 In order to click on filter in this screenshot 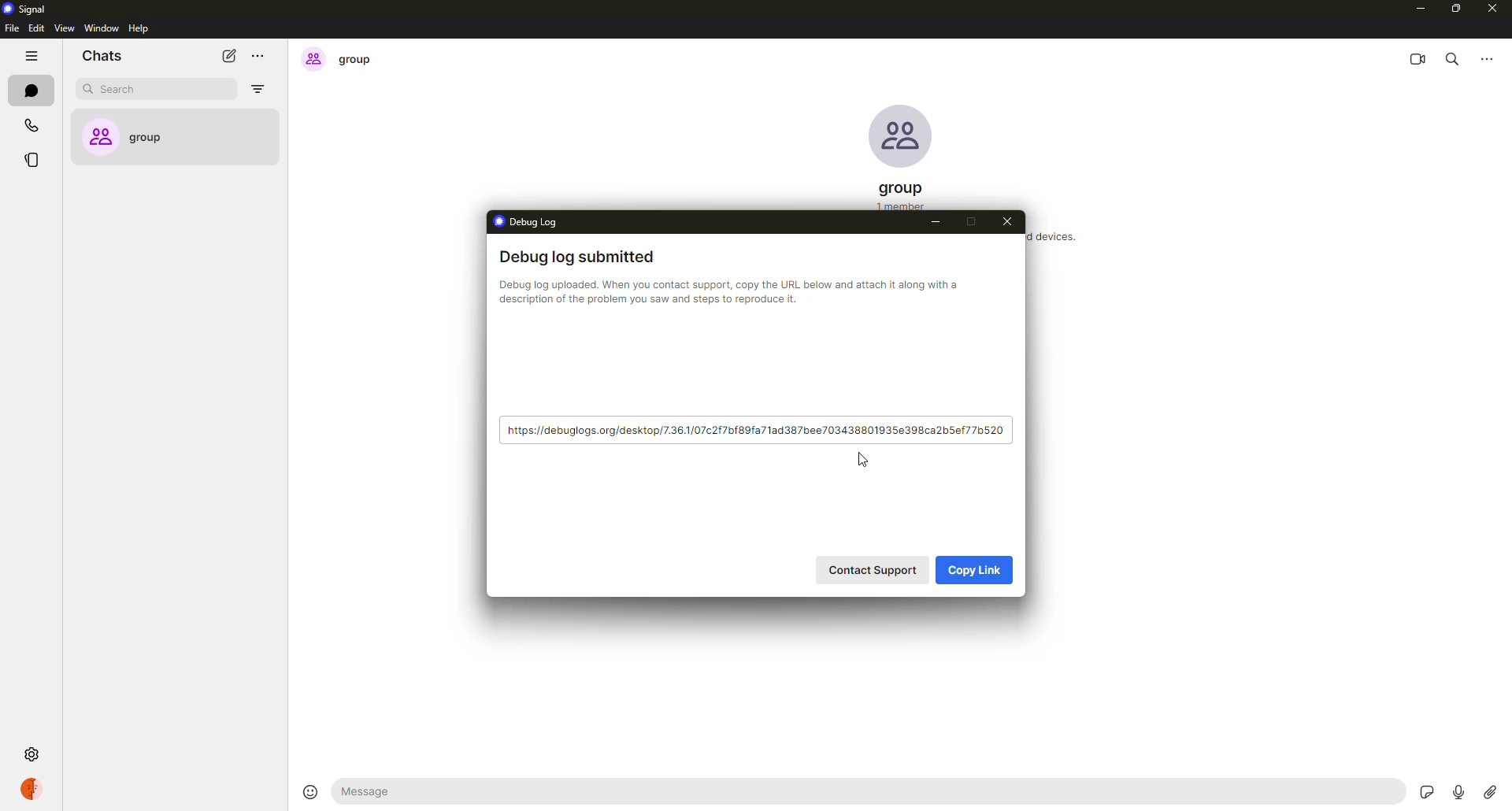, I will do `click(257, 89)`.